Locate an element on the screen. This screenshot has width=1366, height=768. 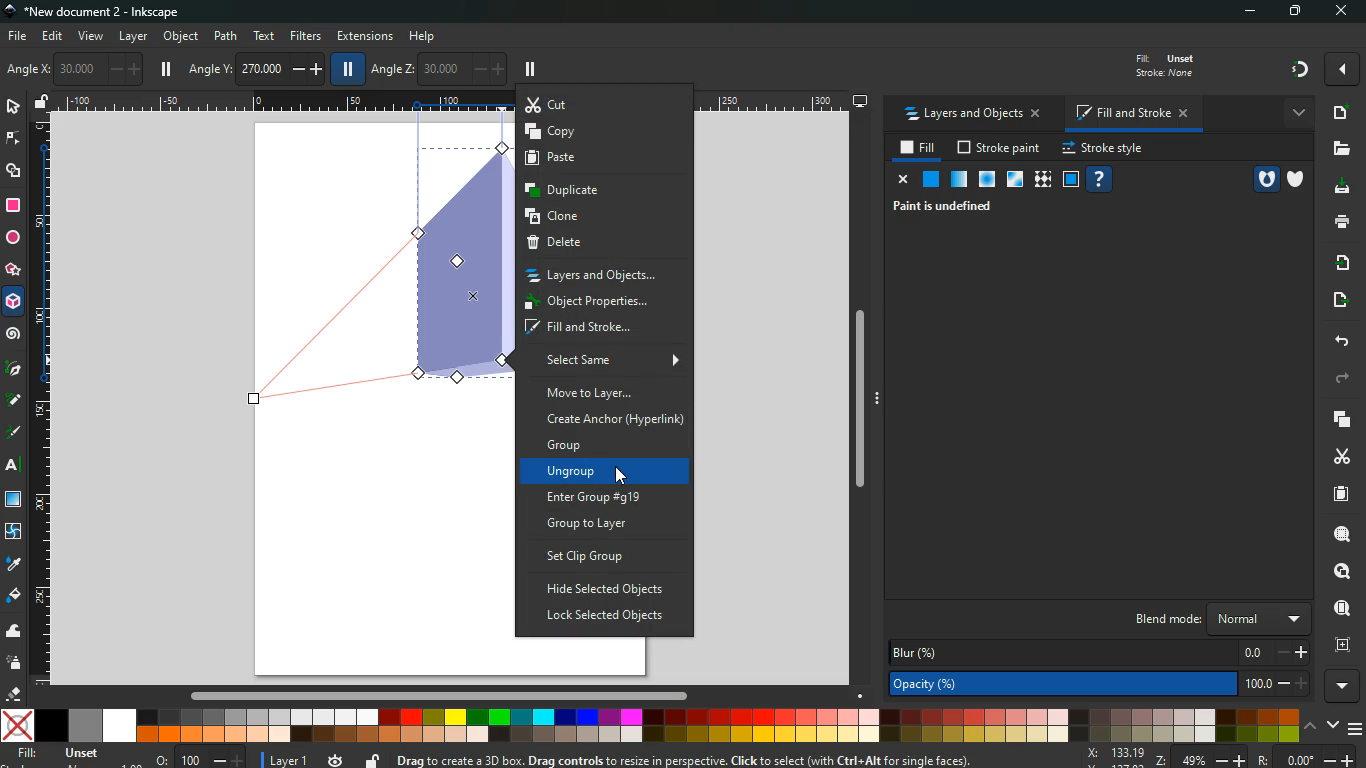
filters is located at coordinates (306, 35).